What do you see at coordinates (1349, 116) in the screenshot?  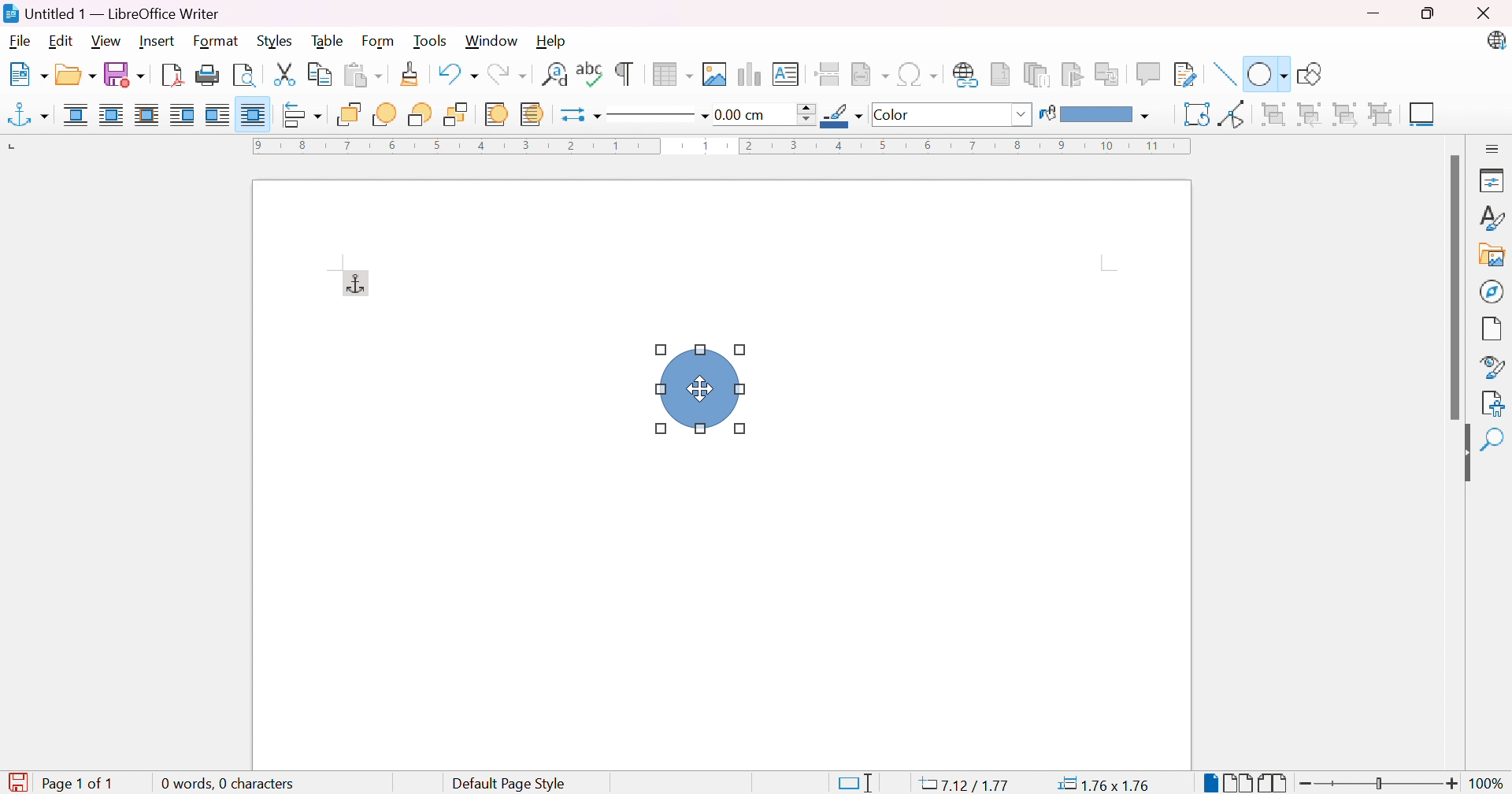 I see `Exit group` at bounding box center [1349, 116].